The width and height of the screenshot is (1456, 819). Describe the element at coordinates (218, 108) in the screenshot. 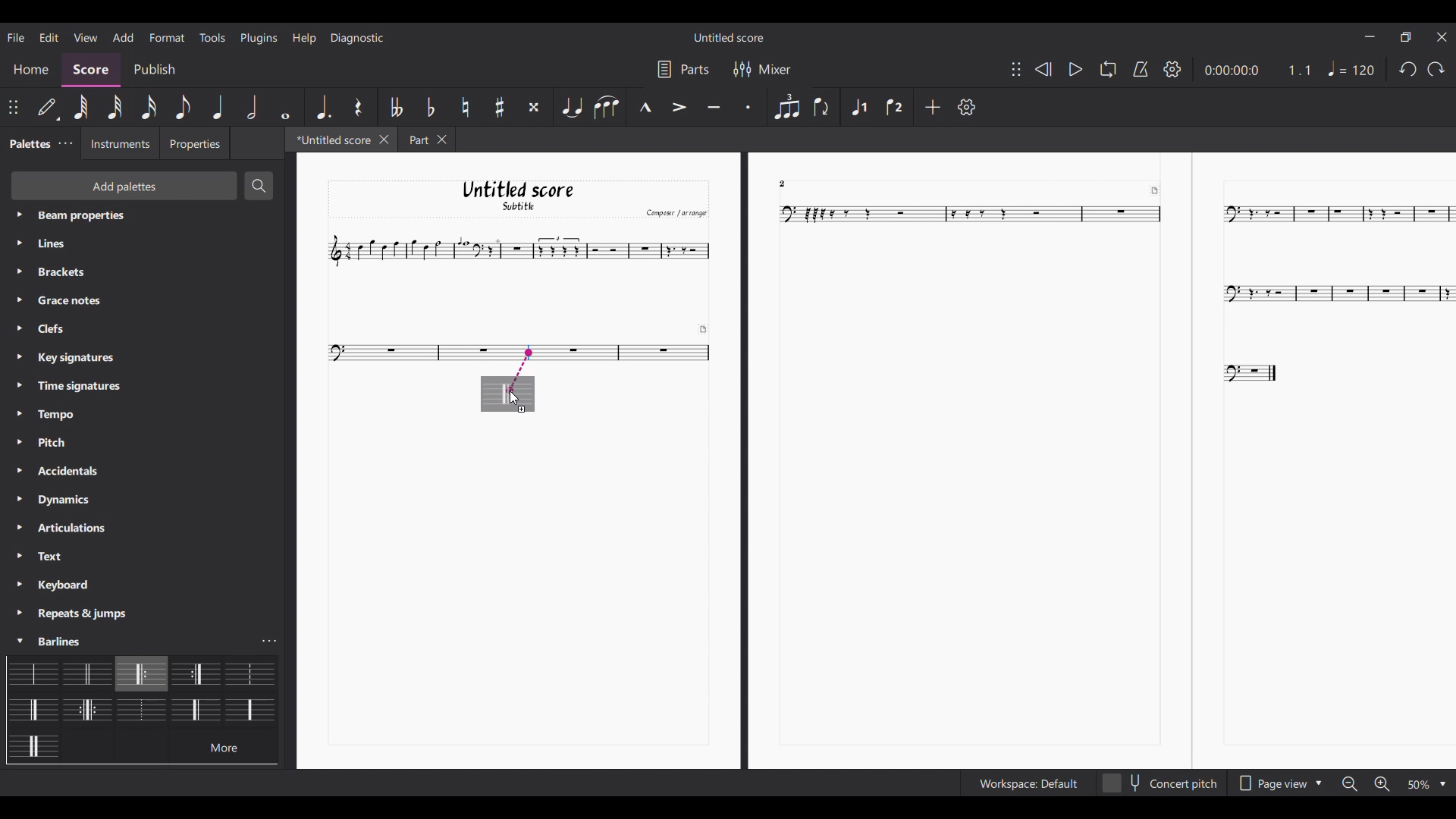

I see `Quarter note` at that location.